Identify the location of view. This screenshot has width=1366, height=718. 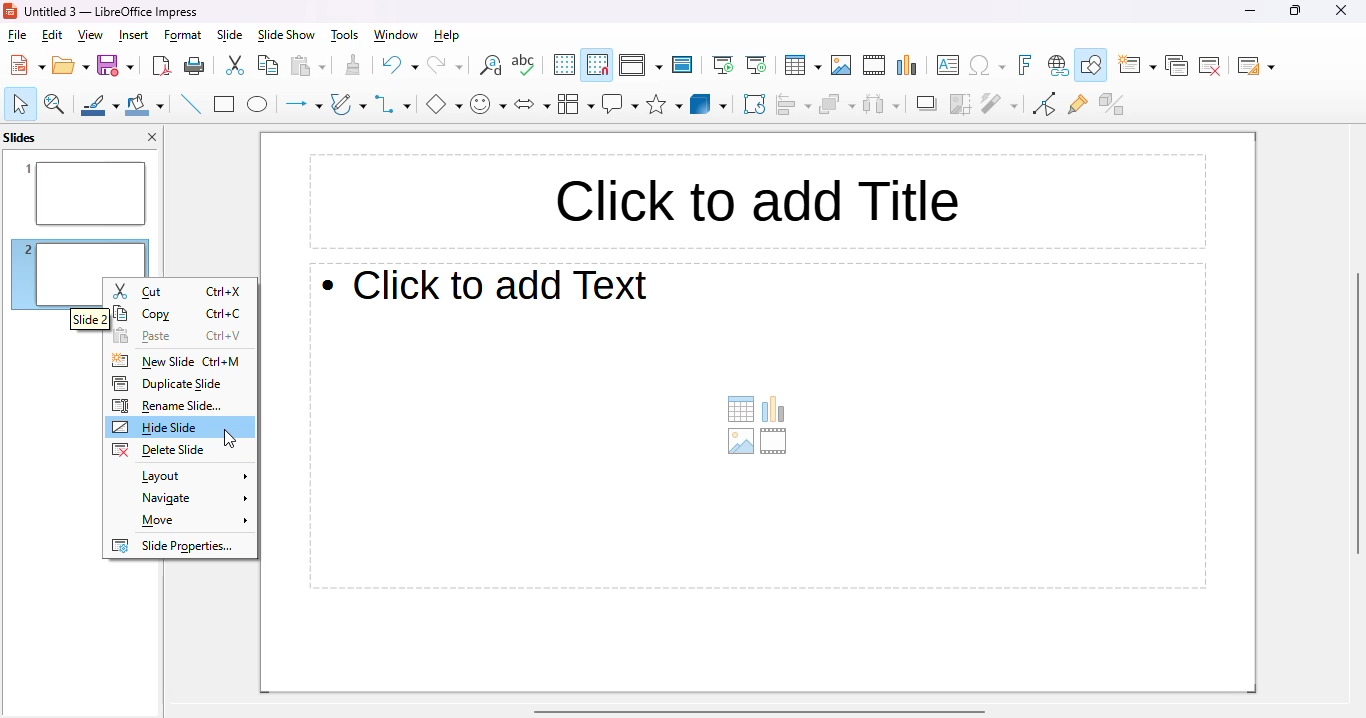
(90, 35).